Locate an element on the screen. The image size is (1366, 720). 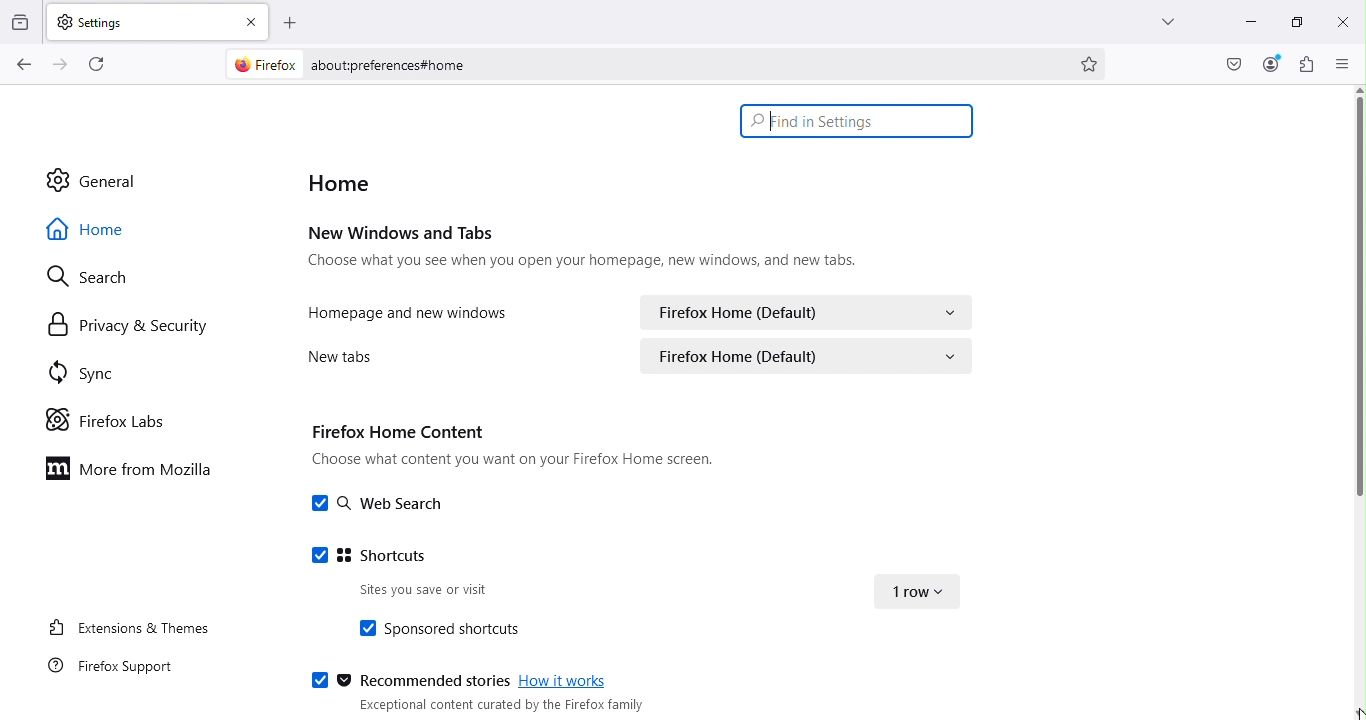
Go forward one page is located at coordinates (58, 65).